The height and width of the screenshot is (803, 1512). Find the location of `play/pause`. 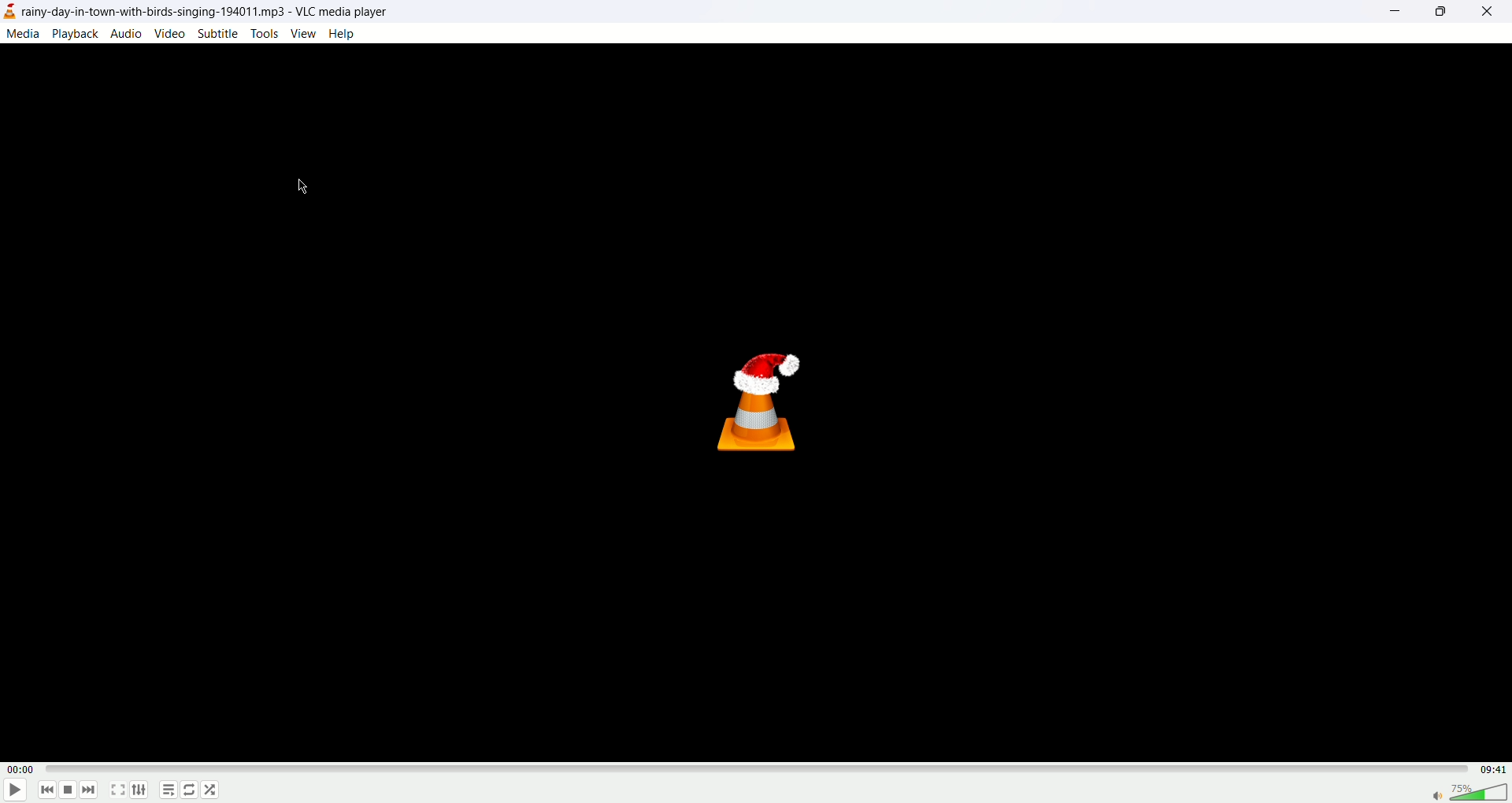

play/pause is located at coordinates (15, 791).